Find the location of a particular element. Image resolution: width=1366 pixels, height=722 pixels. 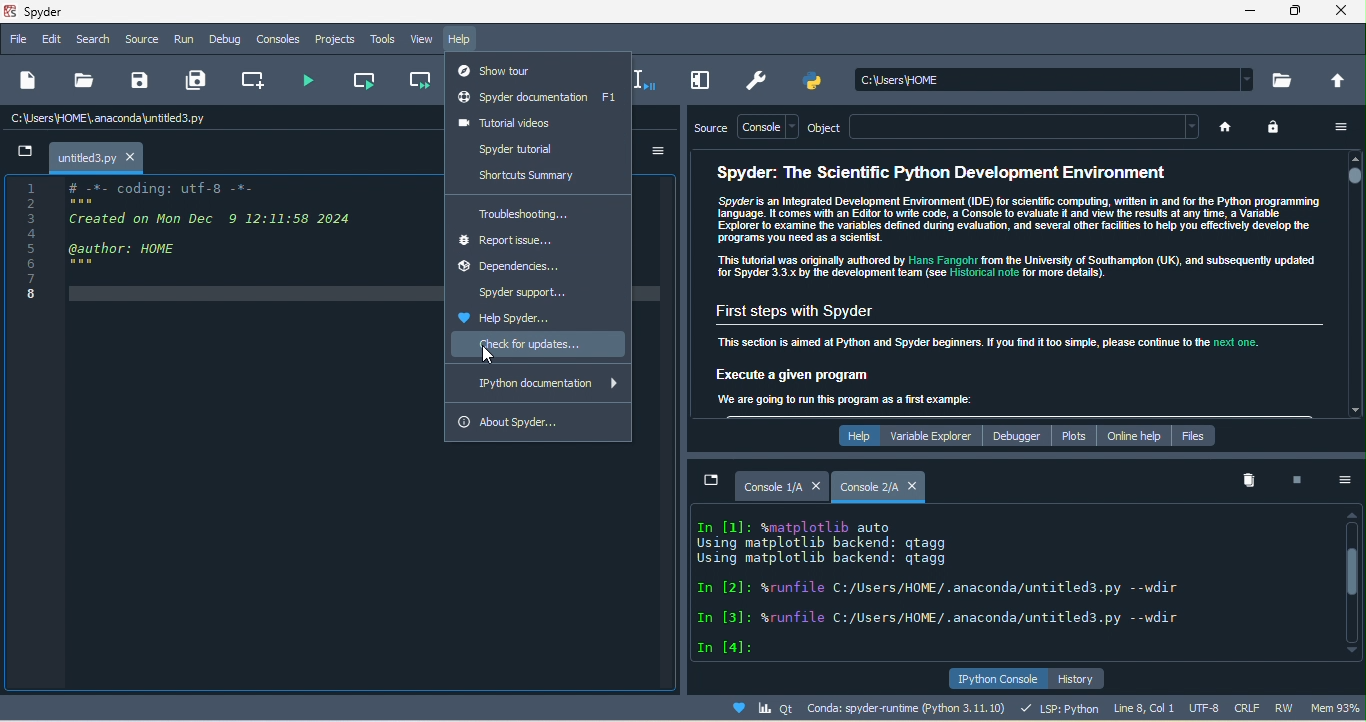

debugger is located at coordinates (1019, 435).